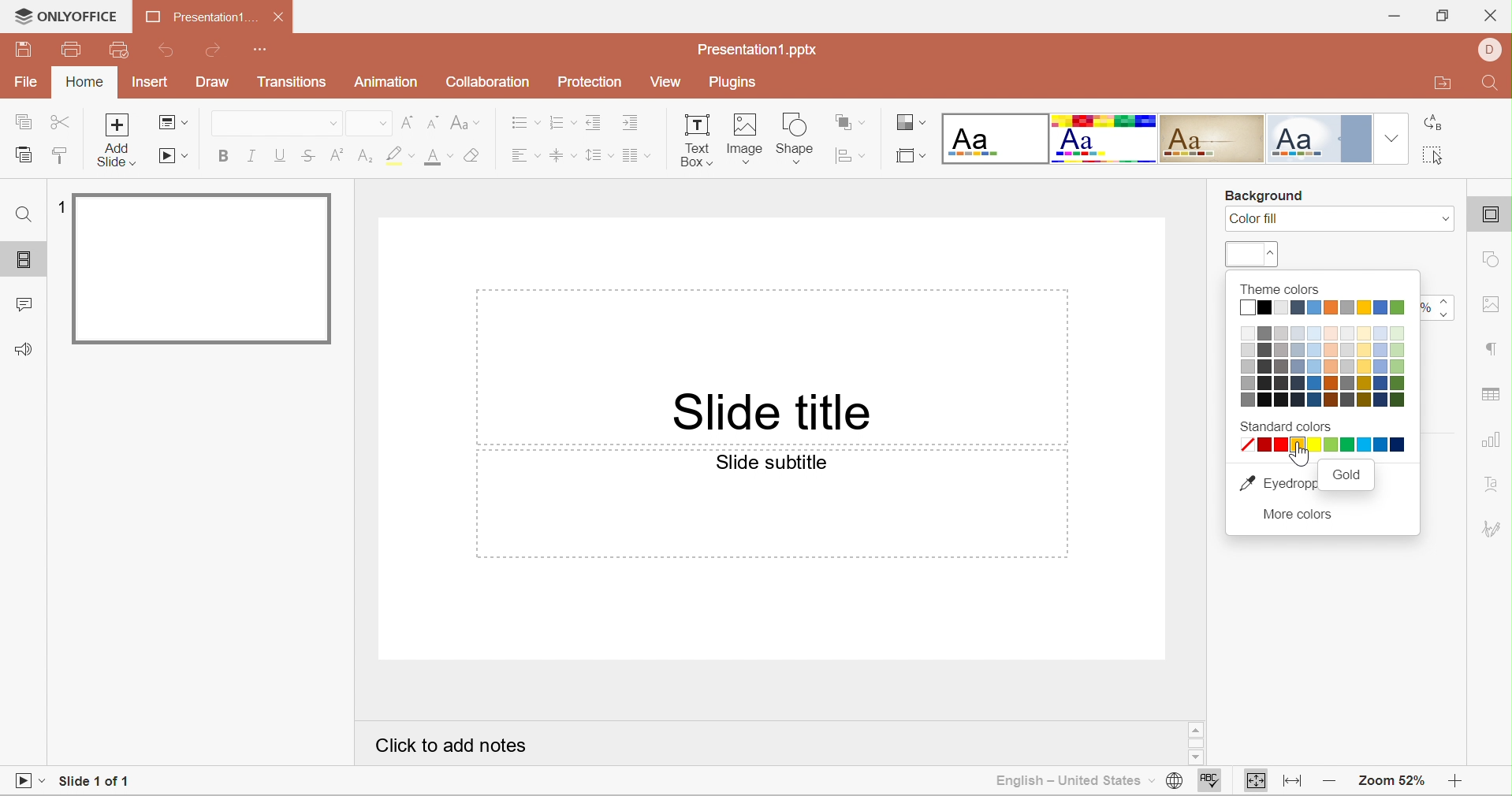  What do you see at coordinates (59, 154) in the screenshot?
I see `Copy style` at bounding box center [59, 154].